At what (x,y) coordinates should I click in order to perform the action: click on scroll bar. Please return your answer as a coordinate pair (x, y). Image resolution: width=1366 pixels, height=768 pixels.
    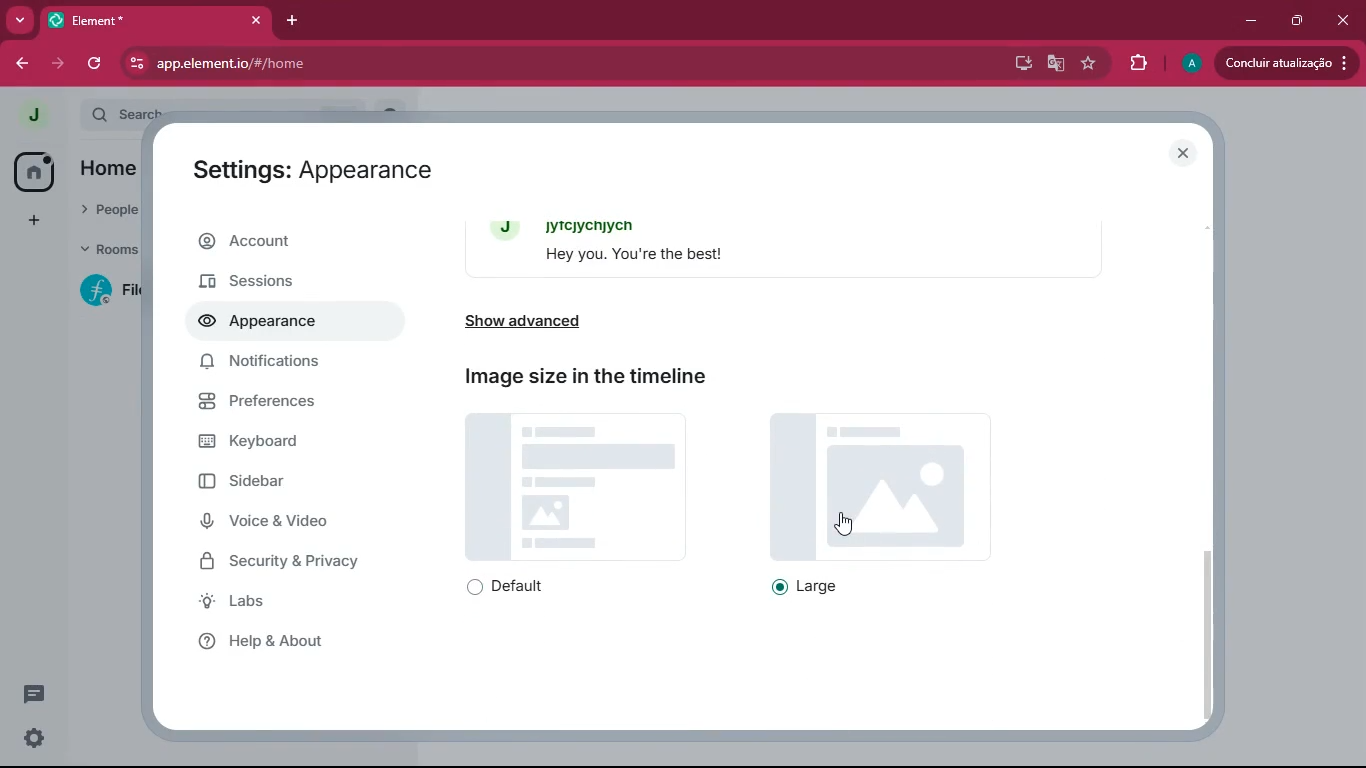
    Looking at the image, I should click on (1209, 623).